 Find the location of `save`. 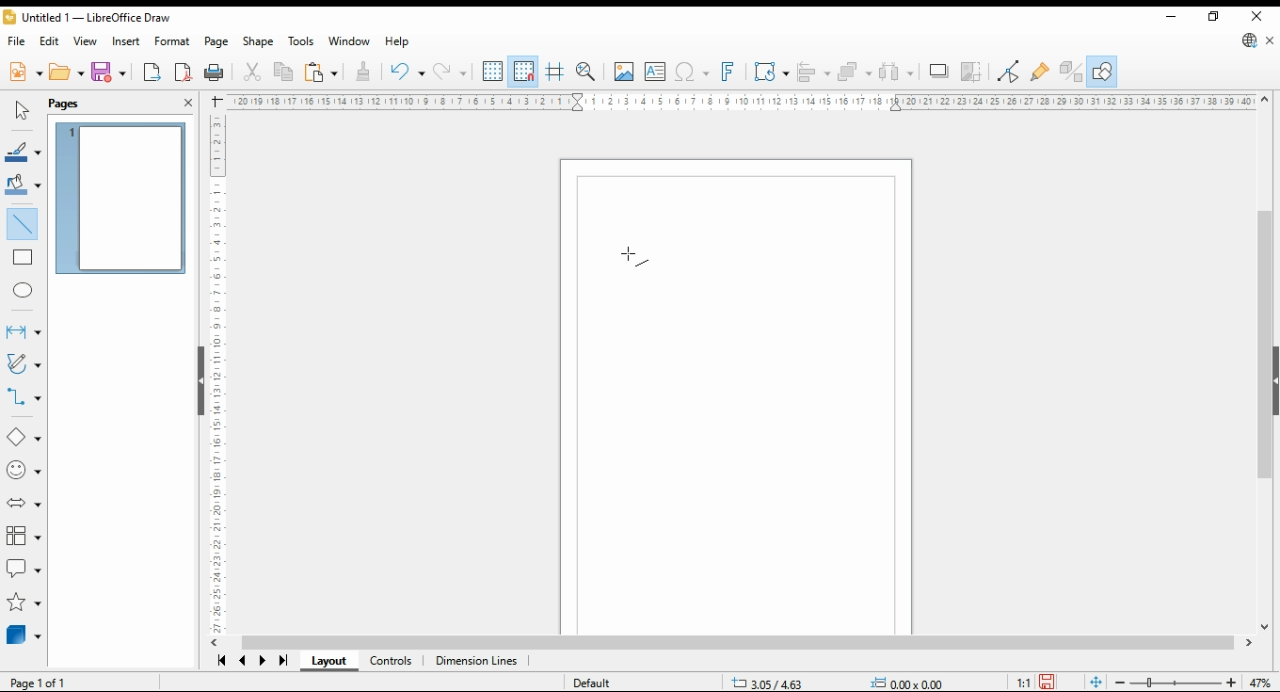

save is located at coordinates (109, 71).